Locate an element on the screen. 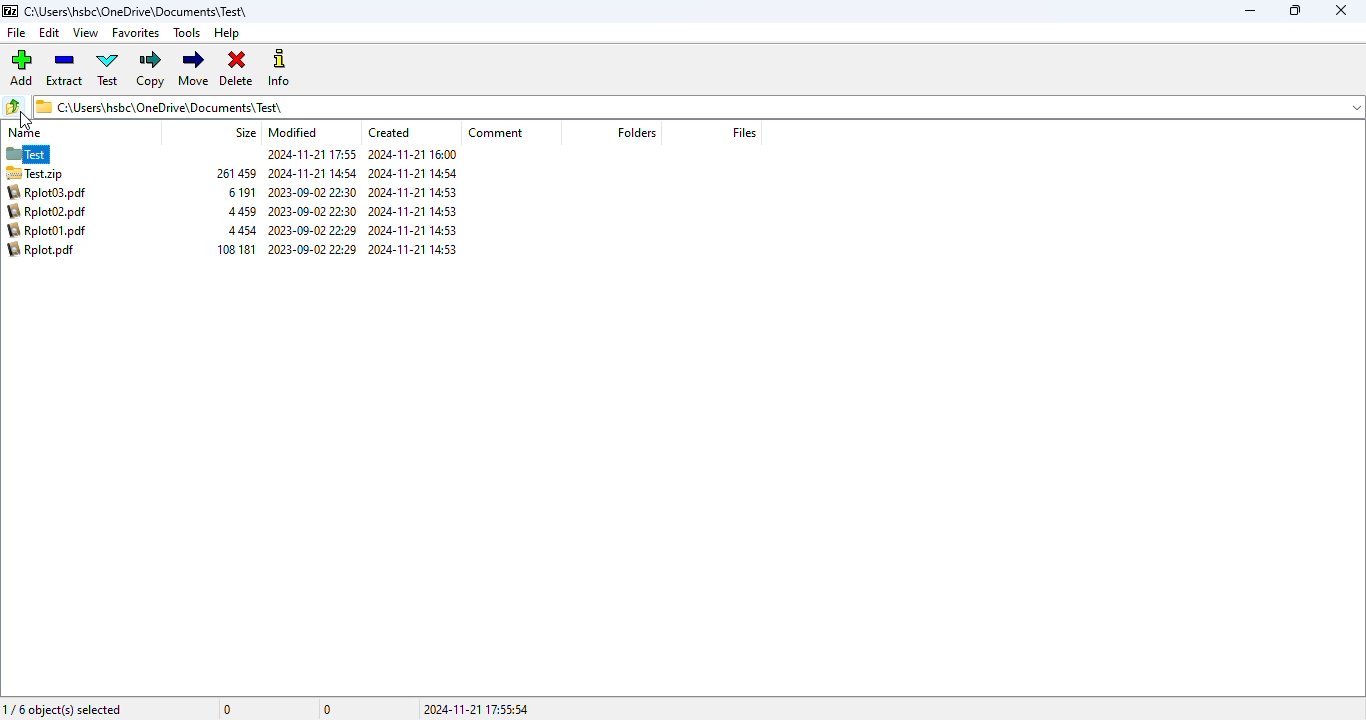 The image size is (1366, 720). Rplot03.pdf is located at coordinates (46, 192).